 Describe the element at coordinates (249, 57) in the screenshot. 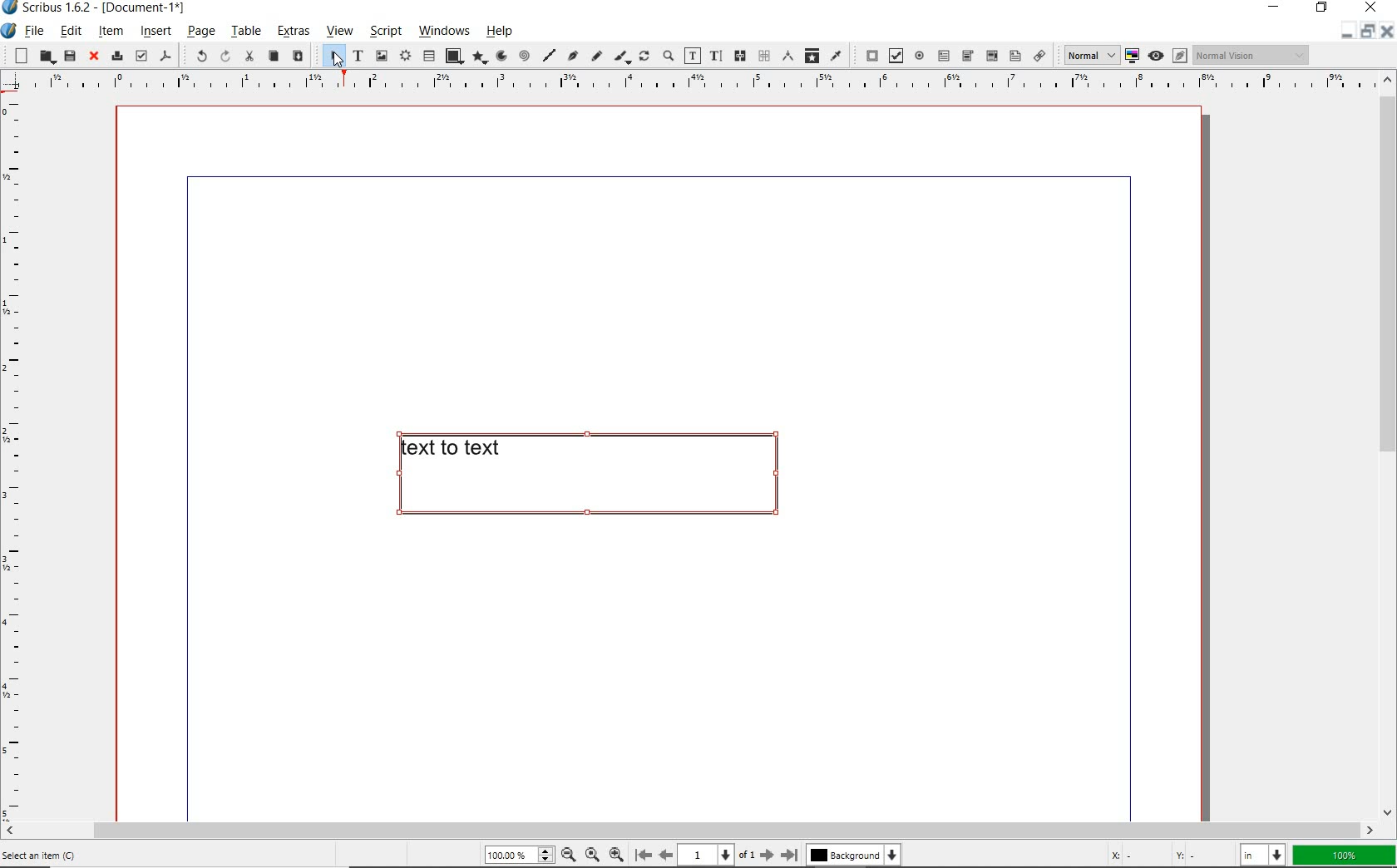

I see `cut` at that location.